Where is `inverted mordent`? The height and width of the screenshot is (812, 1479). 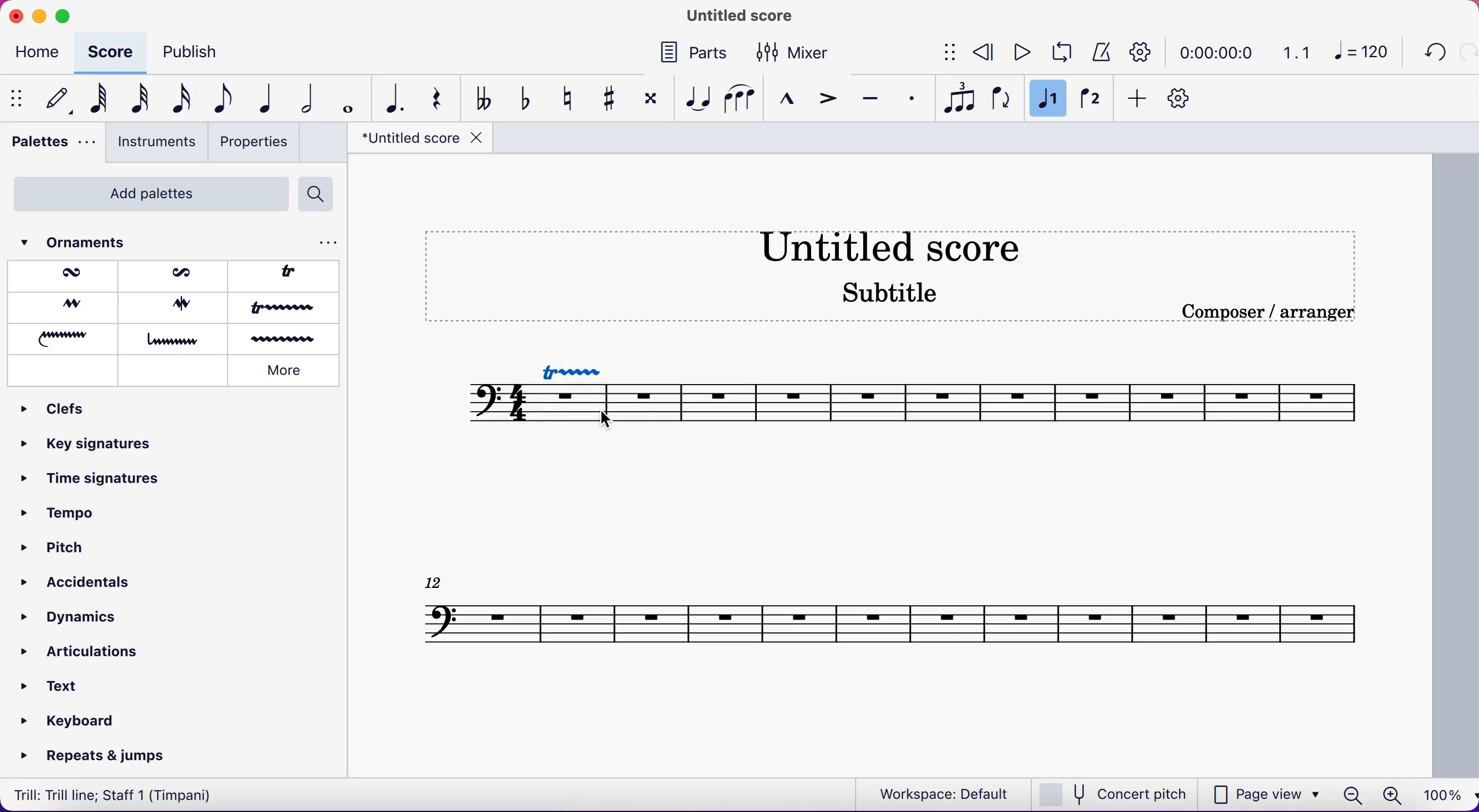 inverted mordent is located at coordinates (176, 275).